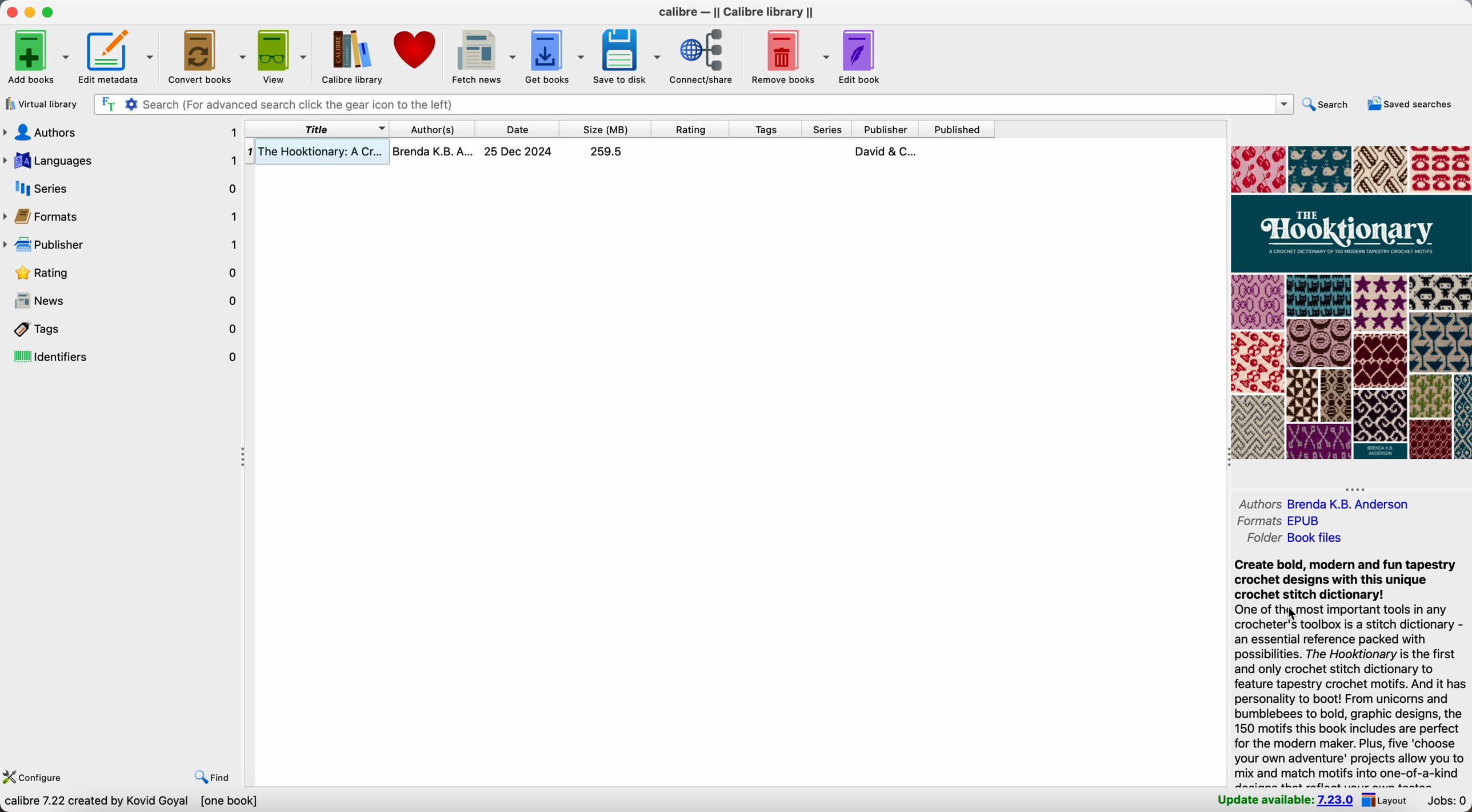  What do you see at coordinates (1350, 671) in the screenshot?
I see `synopsis` at bounding box center [1350, 671].